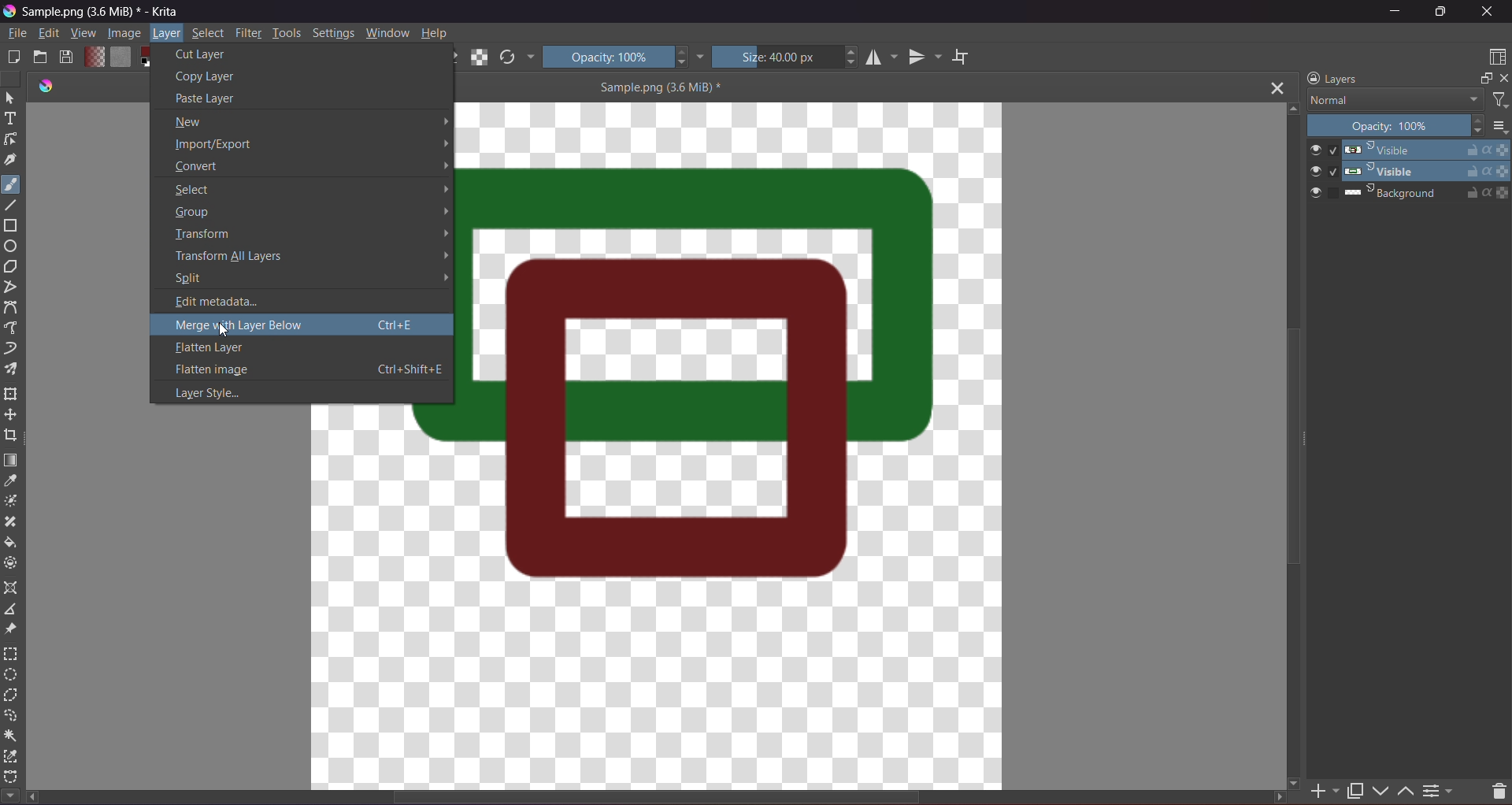 The image size is (1512, 805). Describe the element at coordinates (12, 459) in the screenshot. I see `Draw a gradient` at that location.